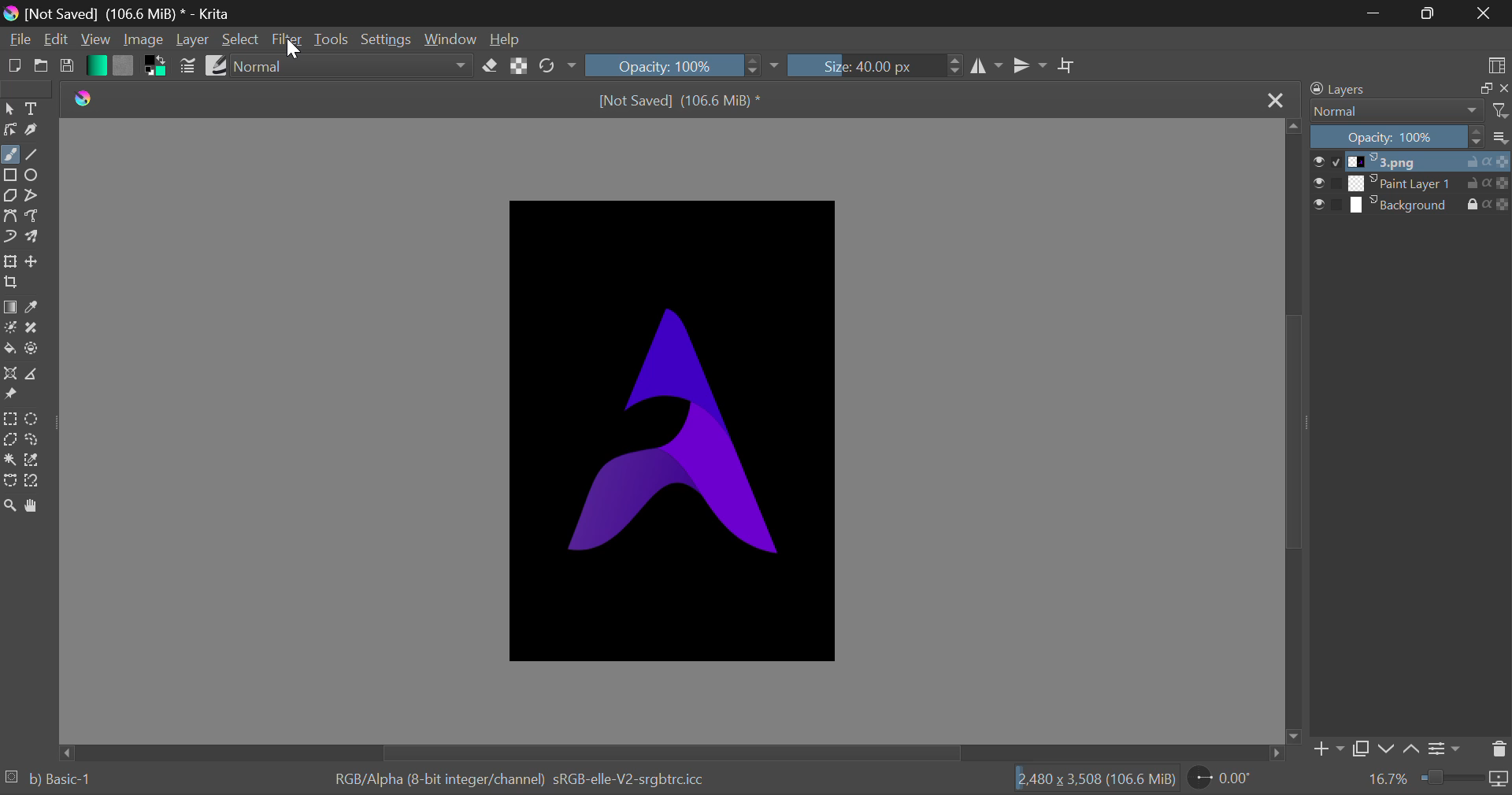 The height and width of the screenshot is (795, 1512). I want to click on Scroll Bar, so click(1295, 432).